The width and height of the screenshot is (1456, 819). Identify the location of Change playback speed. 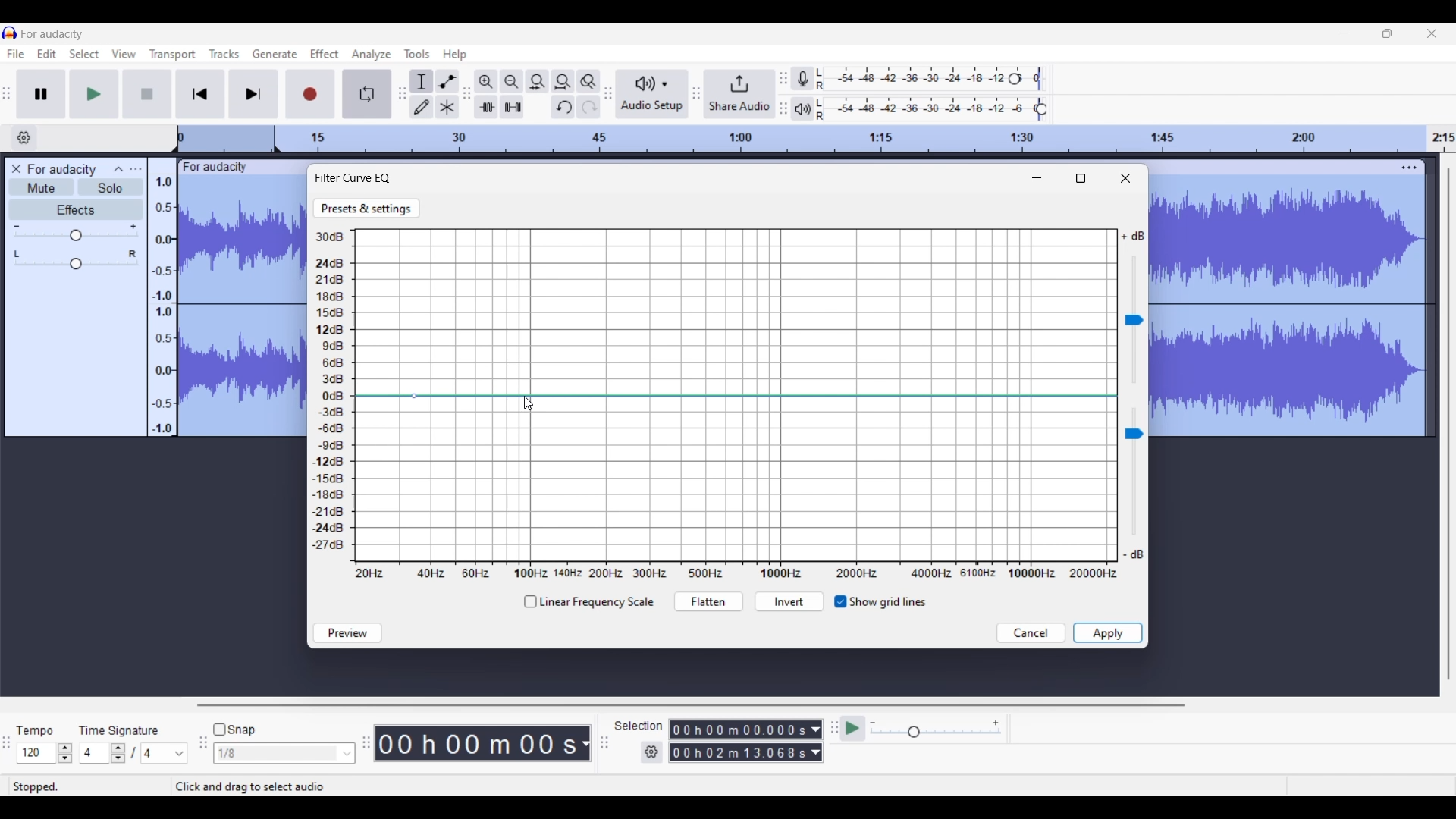
(935, 733).